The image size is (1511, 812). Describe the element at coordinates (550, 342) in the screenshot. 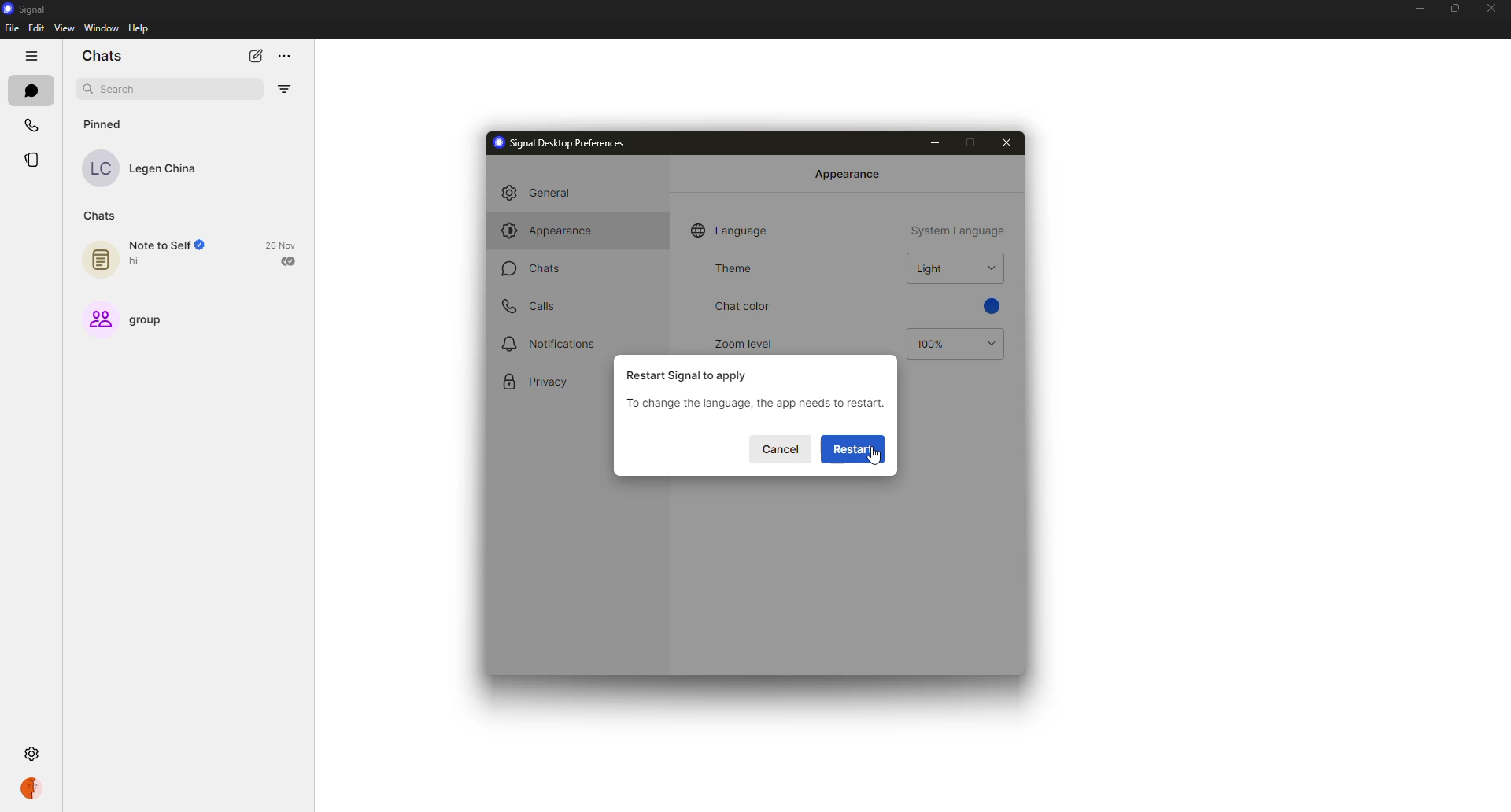

I see `notifications` at that location.